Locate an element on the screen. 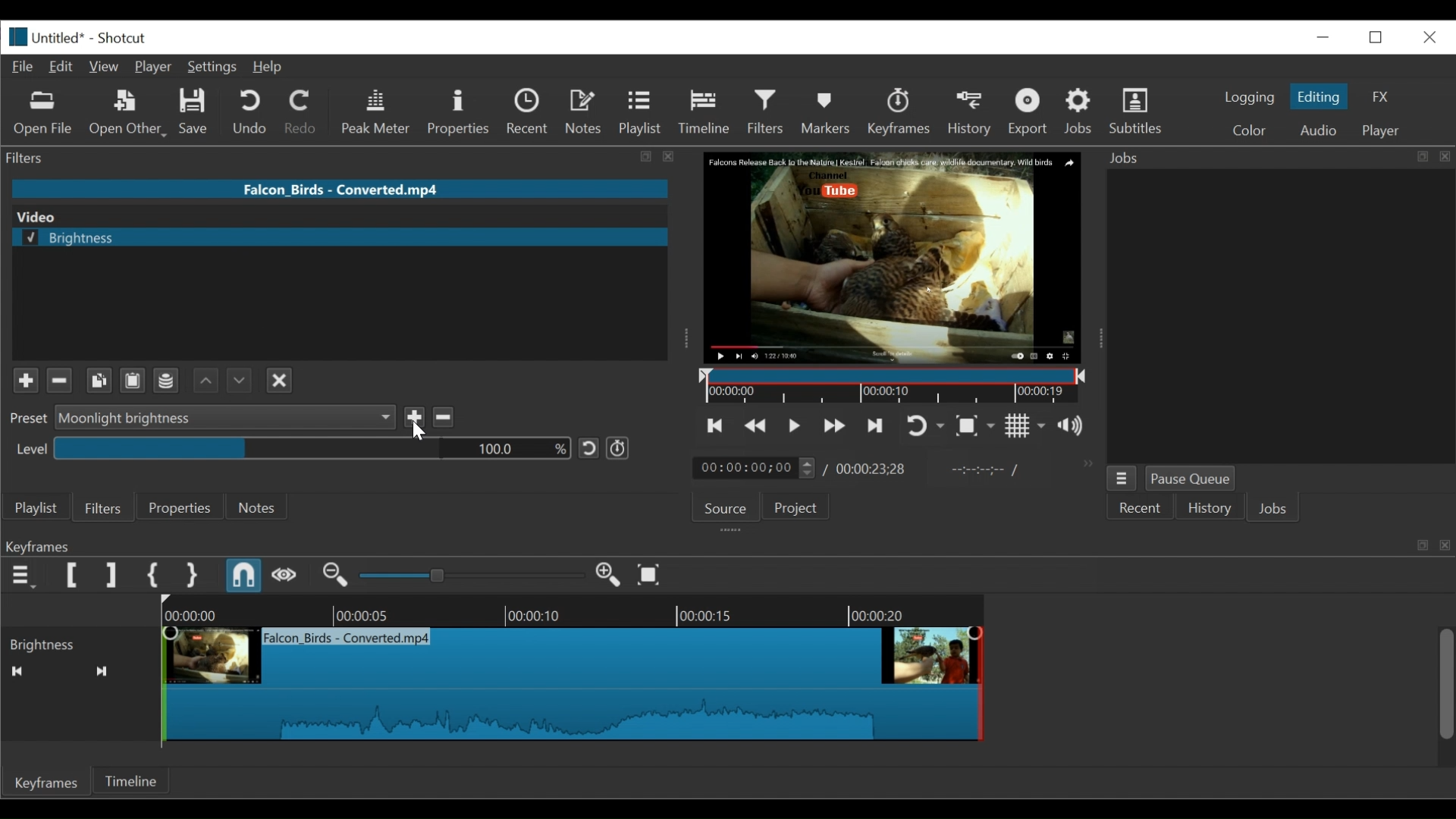  Undo is located at coordinates (253, 113).